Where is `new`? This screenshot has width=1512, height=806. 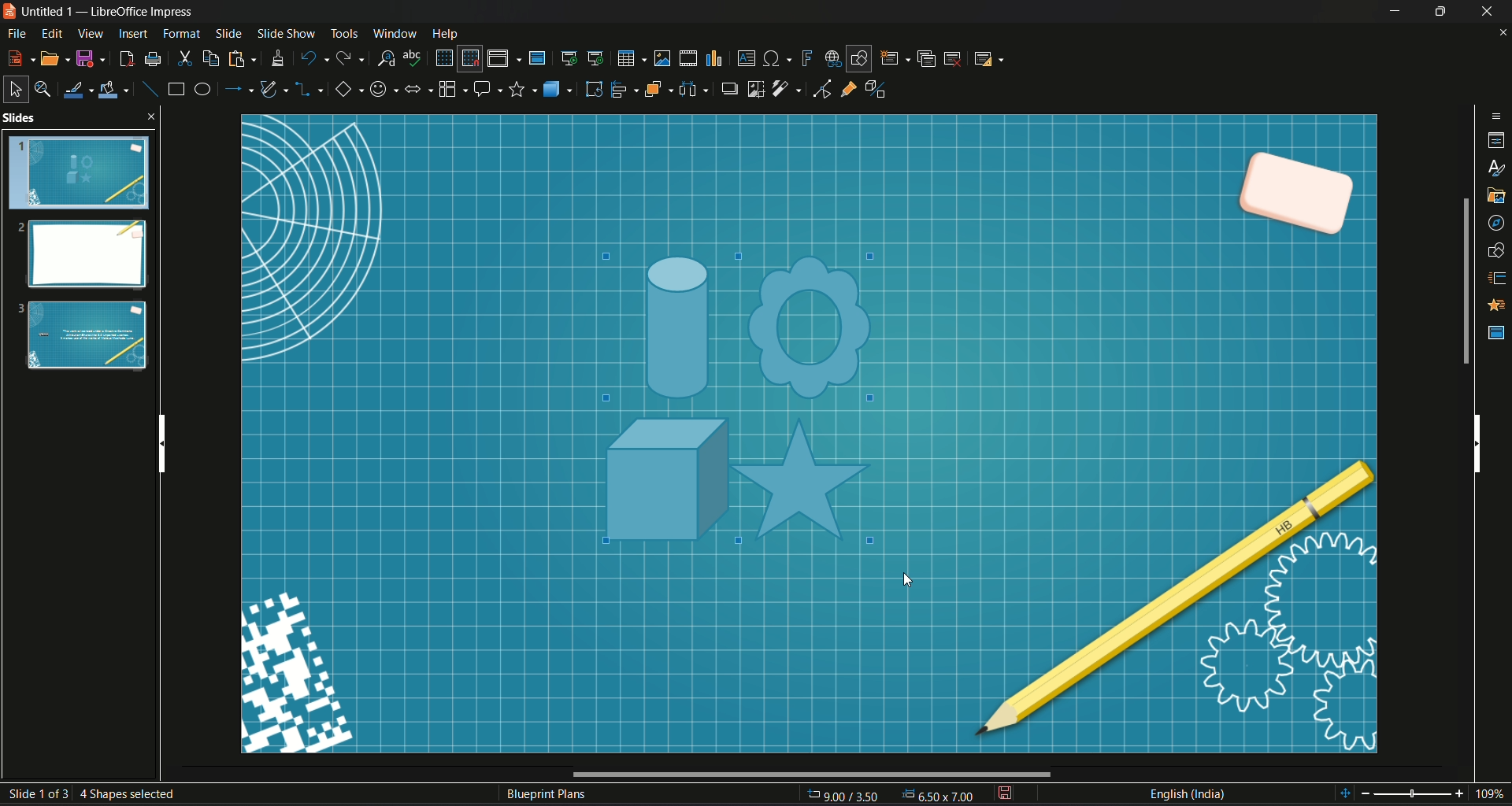
new is located at coordinates (20, 57).